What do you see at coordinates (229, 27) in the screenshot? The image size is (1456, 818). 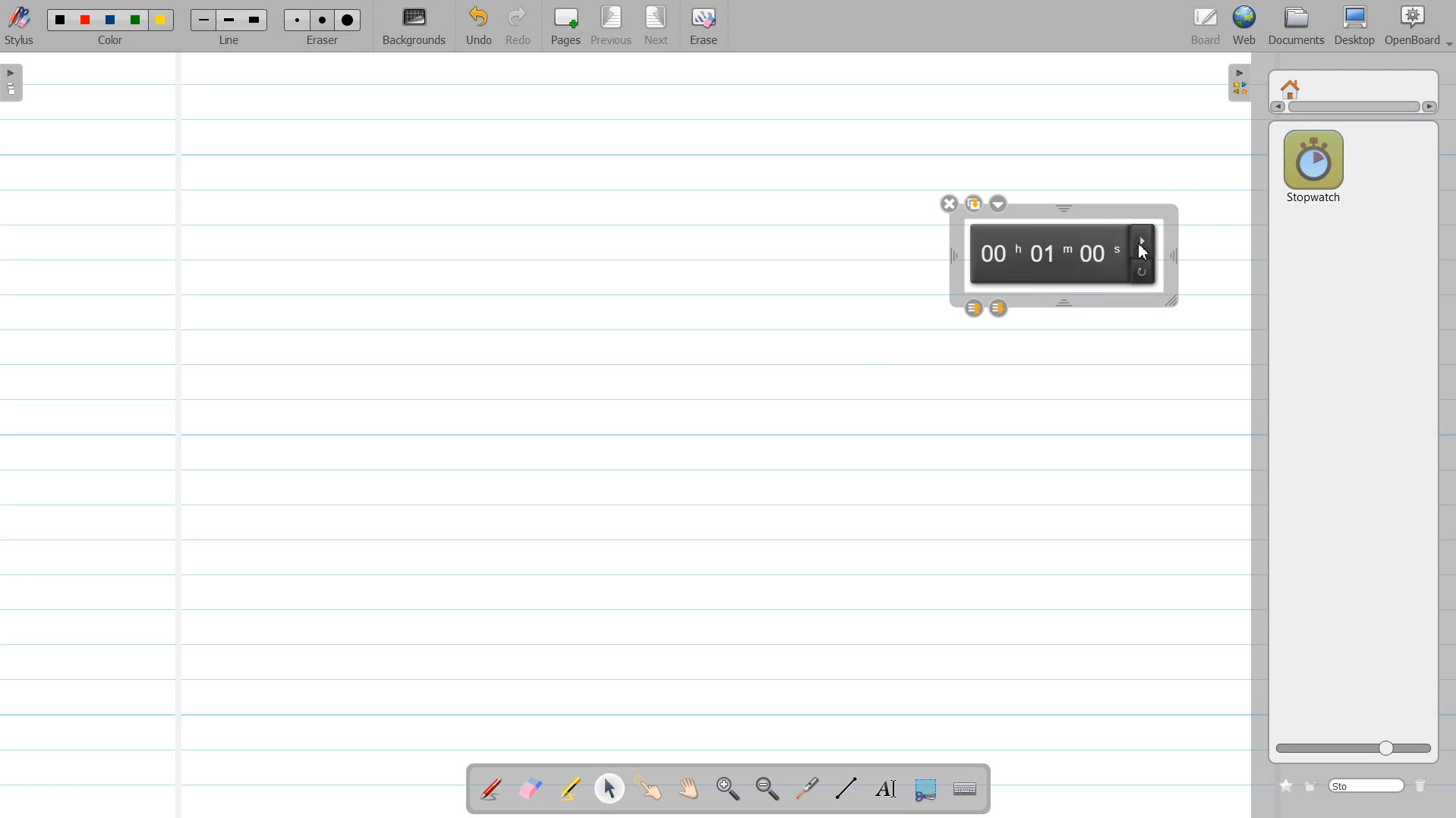 I see `Line` at bounding box center [229, 27].